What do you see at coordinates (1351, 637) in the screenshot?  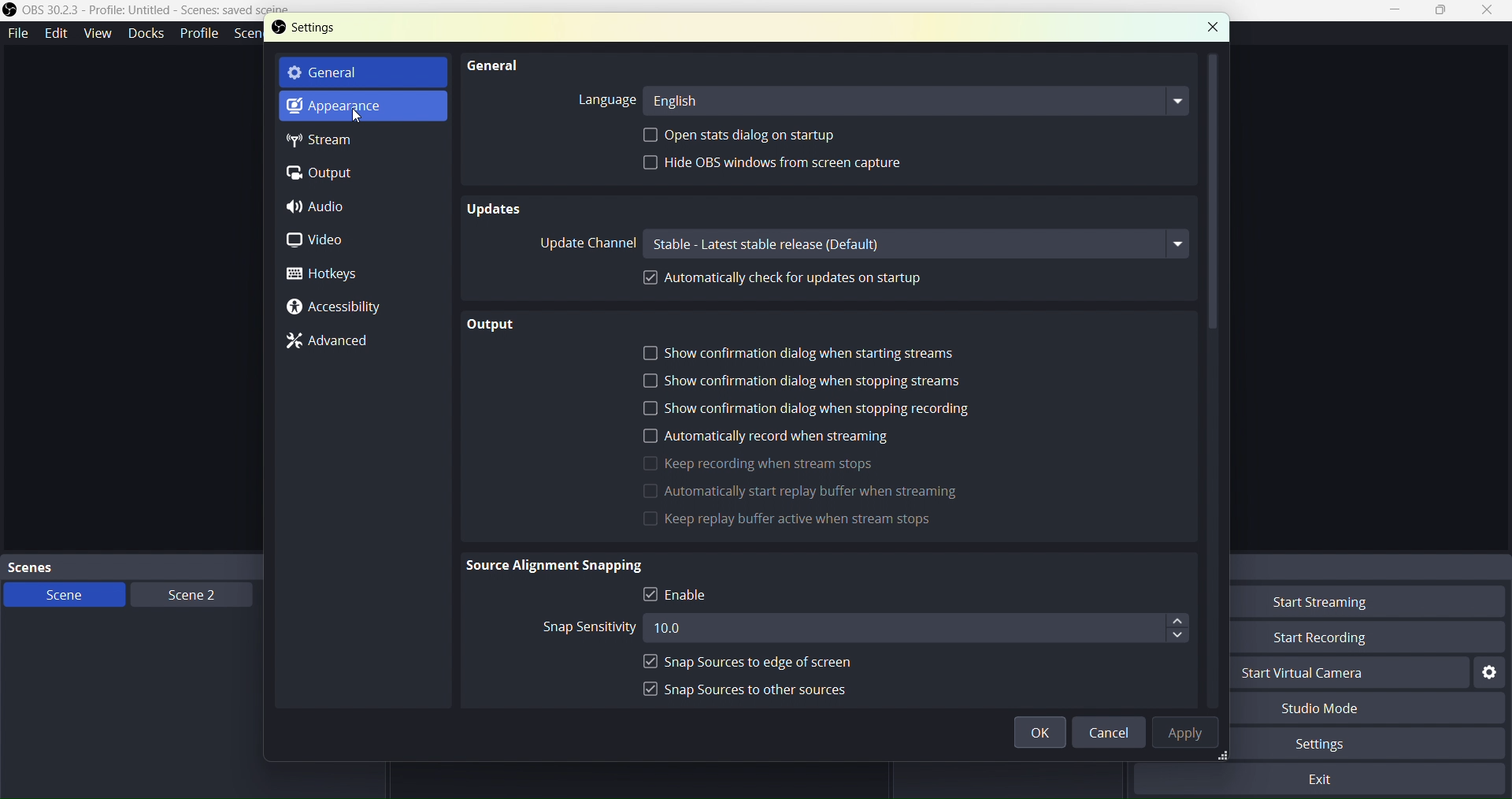 I see `Start Recording` at bounding box center [1351, 637].